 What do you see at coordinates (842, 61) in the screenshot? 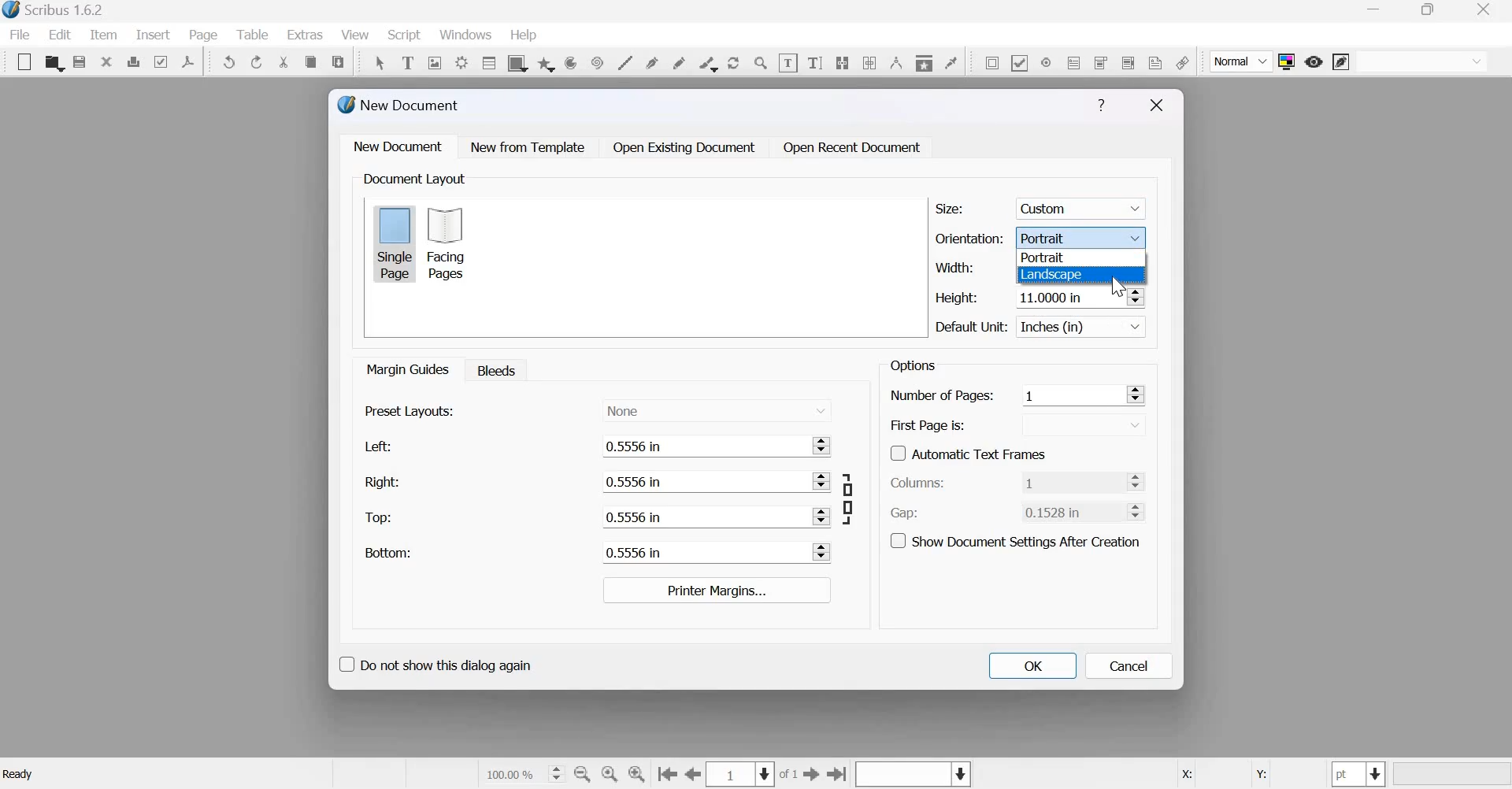
I see `Link text frames` at bounding box center [842, 61].